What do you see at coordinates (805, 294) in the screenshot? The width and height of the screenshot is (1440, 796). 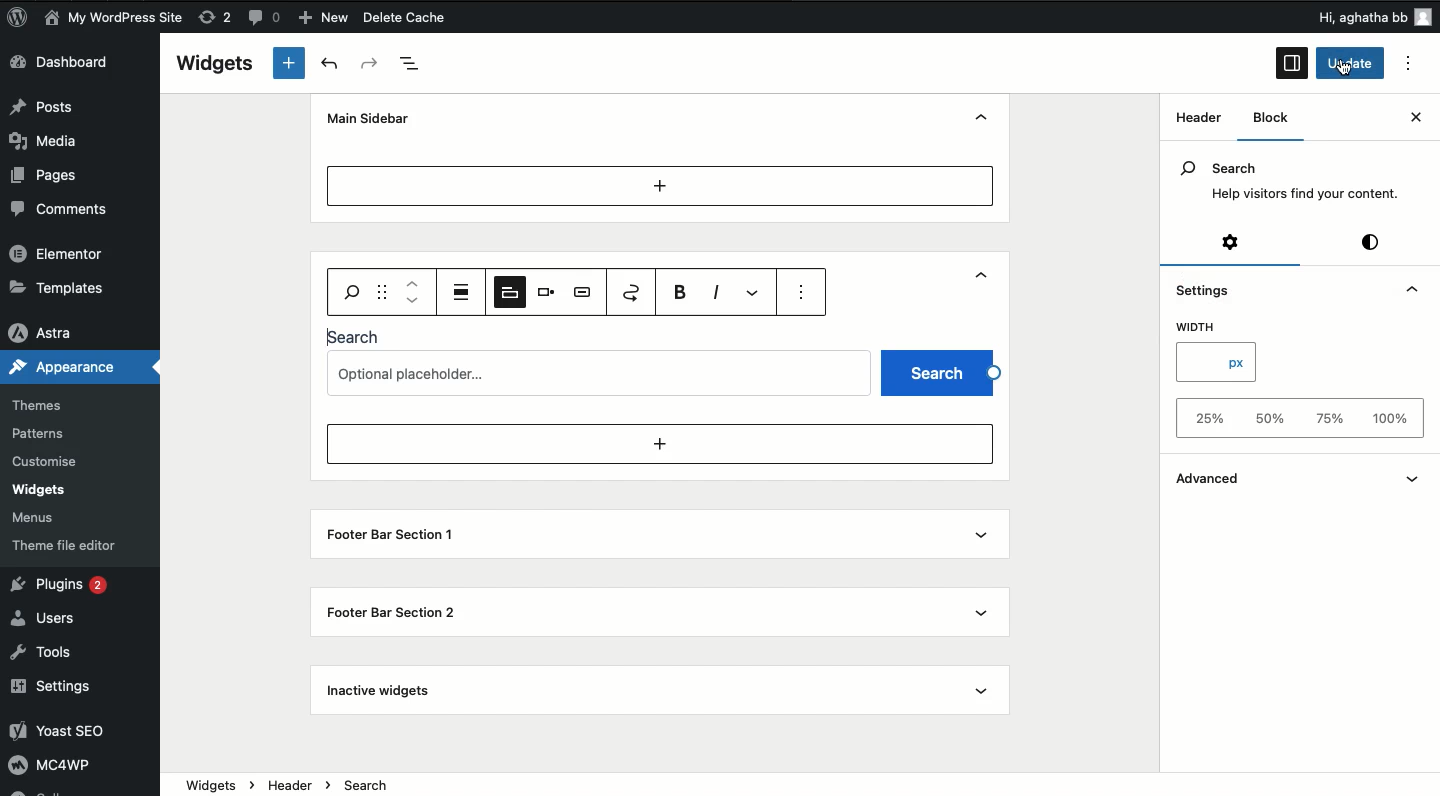 I see `see options` at bounding box center [805, 294].